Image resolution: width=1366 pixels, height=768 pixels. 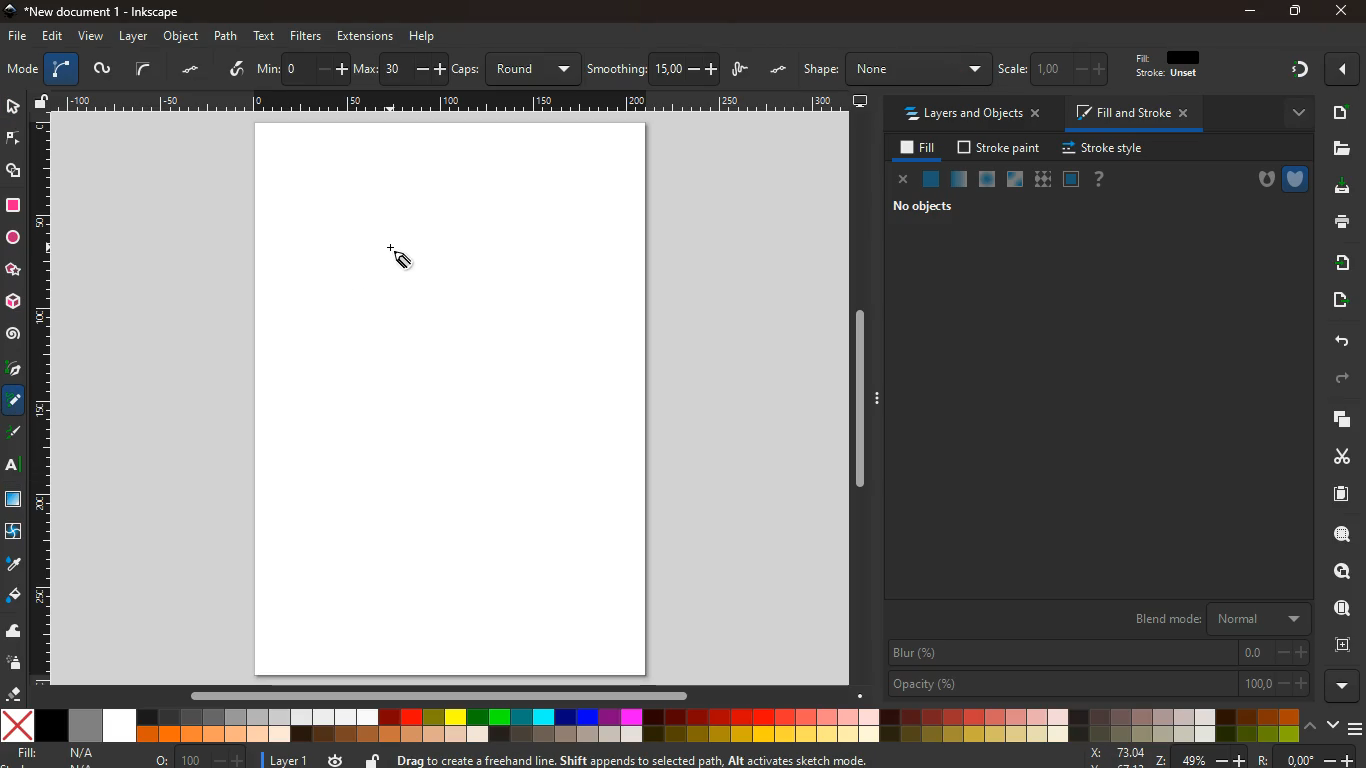 What do you see at coordinates (1344, 572) in the screenshot?
I see `frame` at bounding box center [1344, 572].